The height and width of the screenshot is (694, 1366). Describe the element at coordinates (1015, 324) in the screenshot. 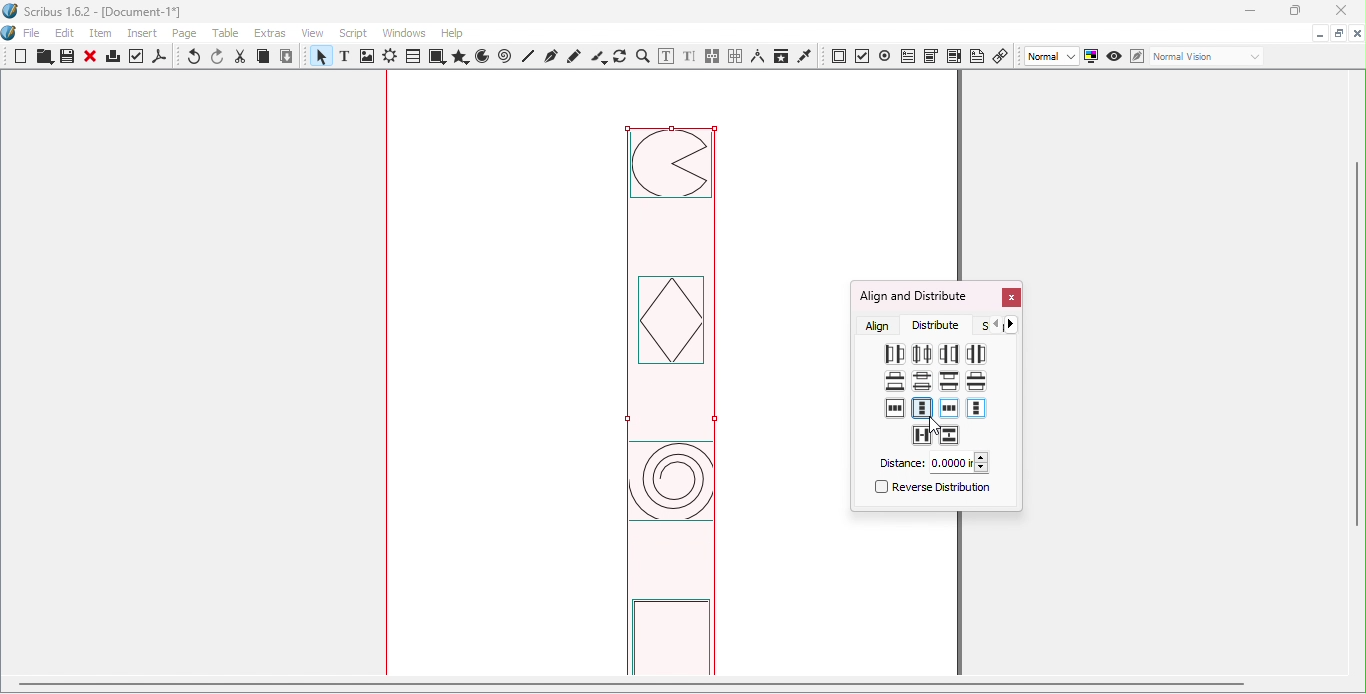

I see `Go forward` at that location.